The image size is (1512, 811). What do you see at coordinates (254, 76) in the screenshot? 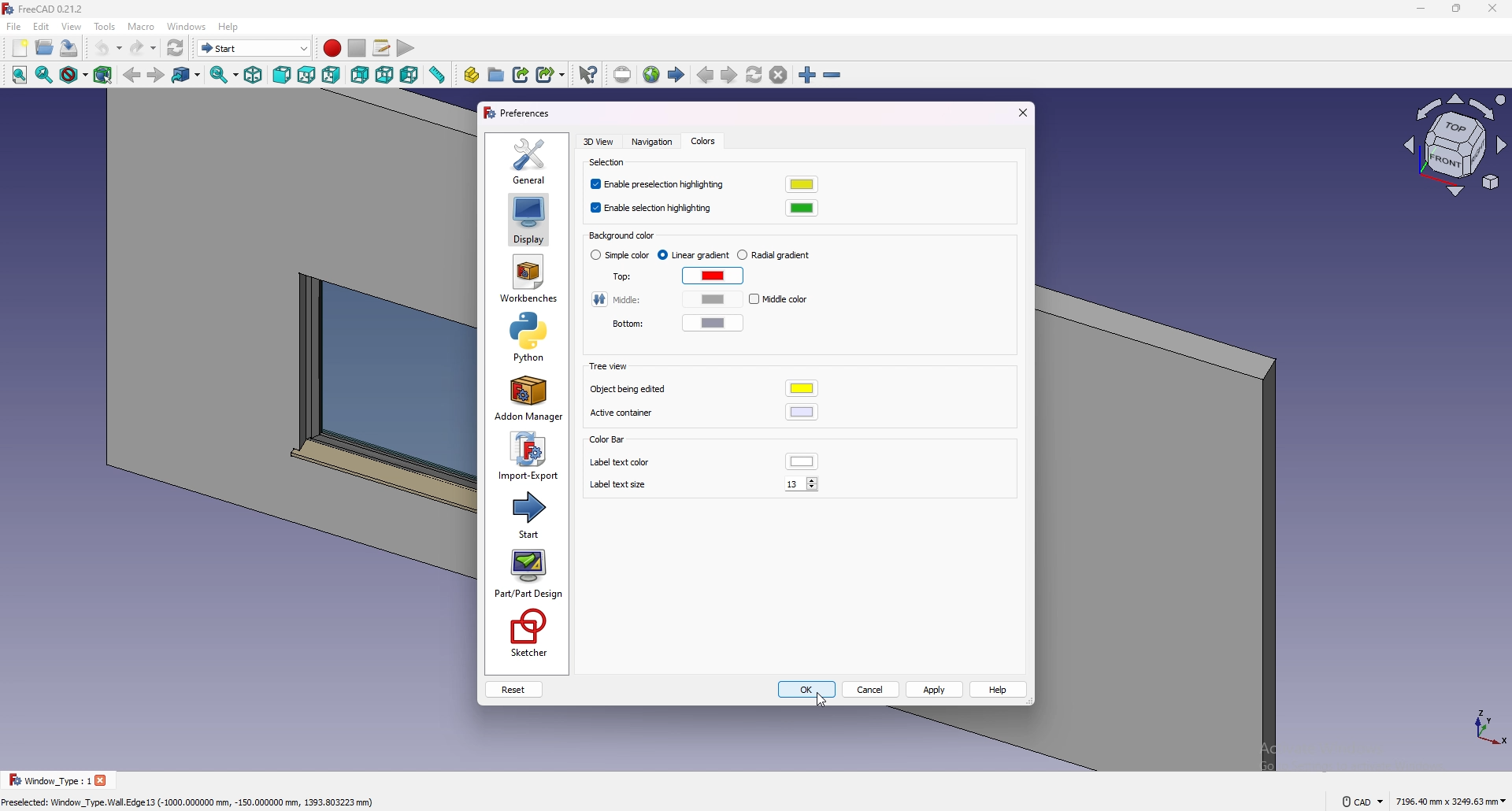
I see `isometric` at bounding box center [254, 76].